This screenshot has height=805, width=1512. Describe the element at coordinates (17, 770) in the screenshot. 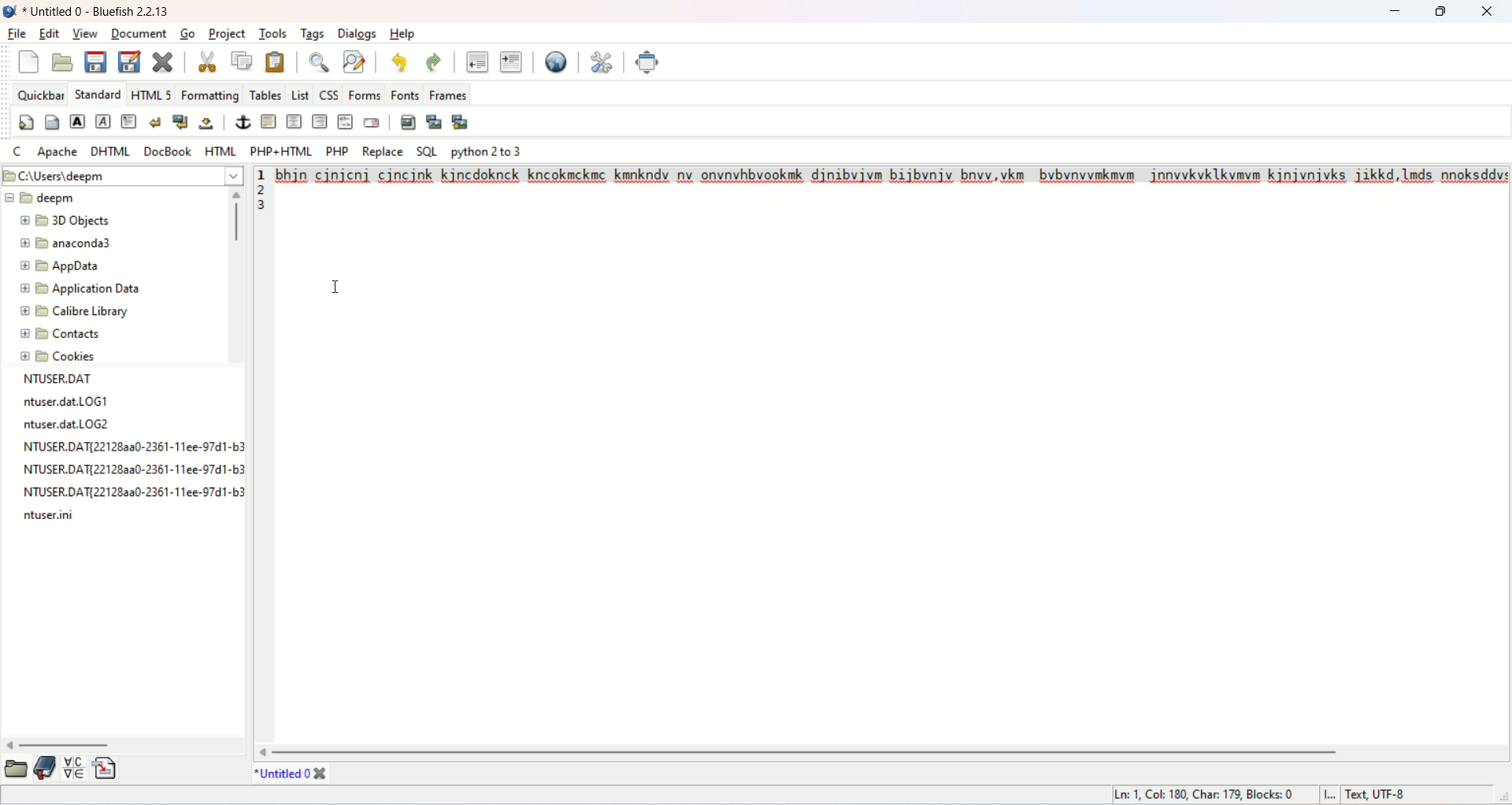

I see `open` at that location.